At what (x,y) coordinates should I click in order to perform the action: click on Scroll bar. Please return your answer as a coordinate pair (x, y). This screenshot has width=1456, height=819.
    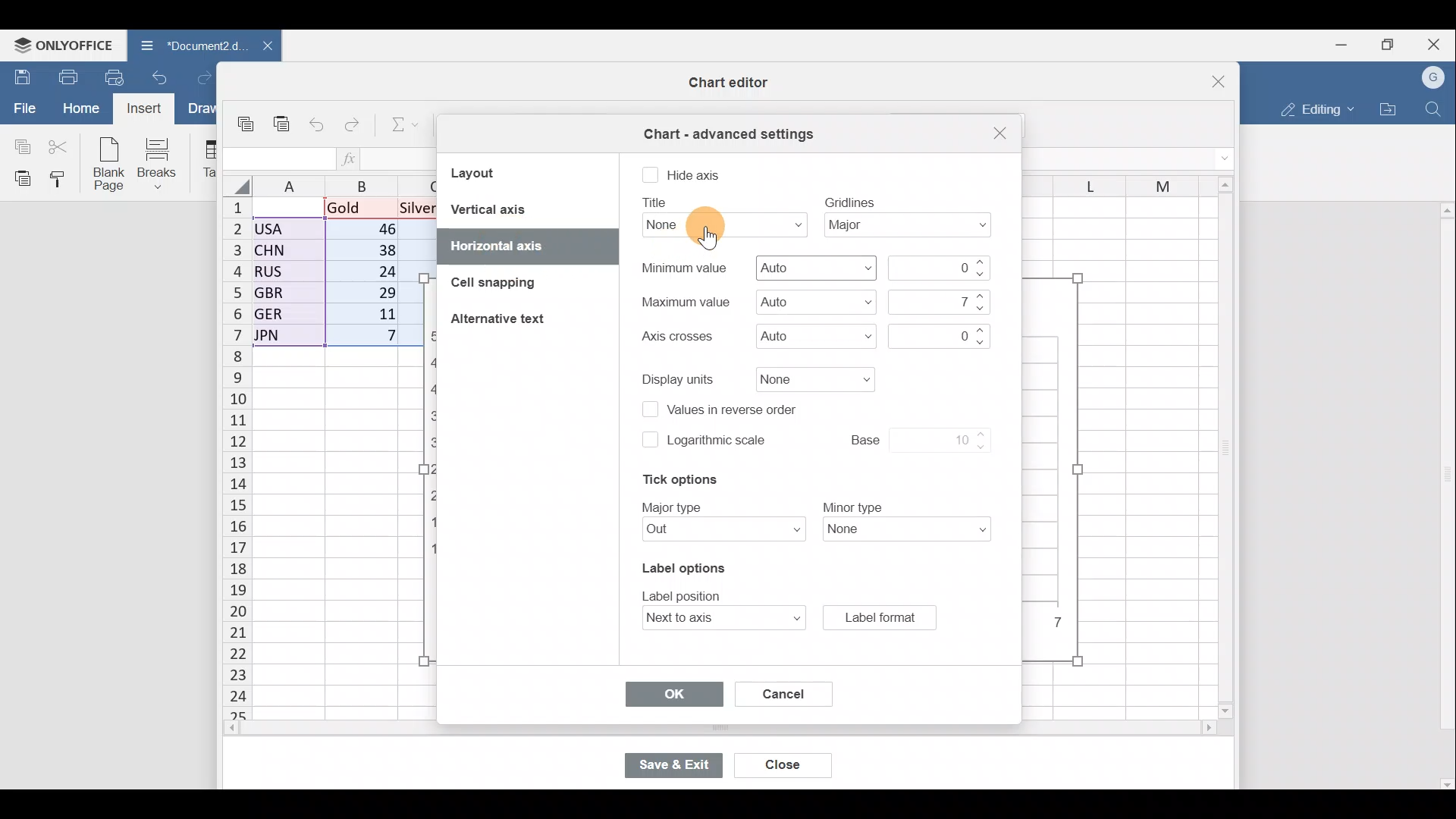
    Looking at the image, I should click on (1220, 449).